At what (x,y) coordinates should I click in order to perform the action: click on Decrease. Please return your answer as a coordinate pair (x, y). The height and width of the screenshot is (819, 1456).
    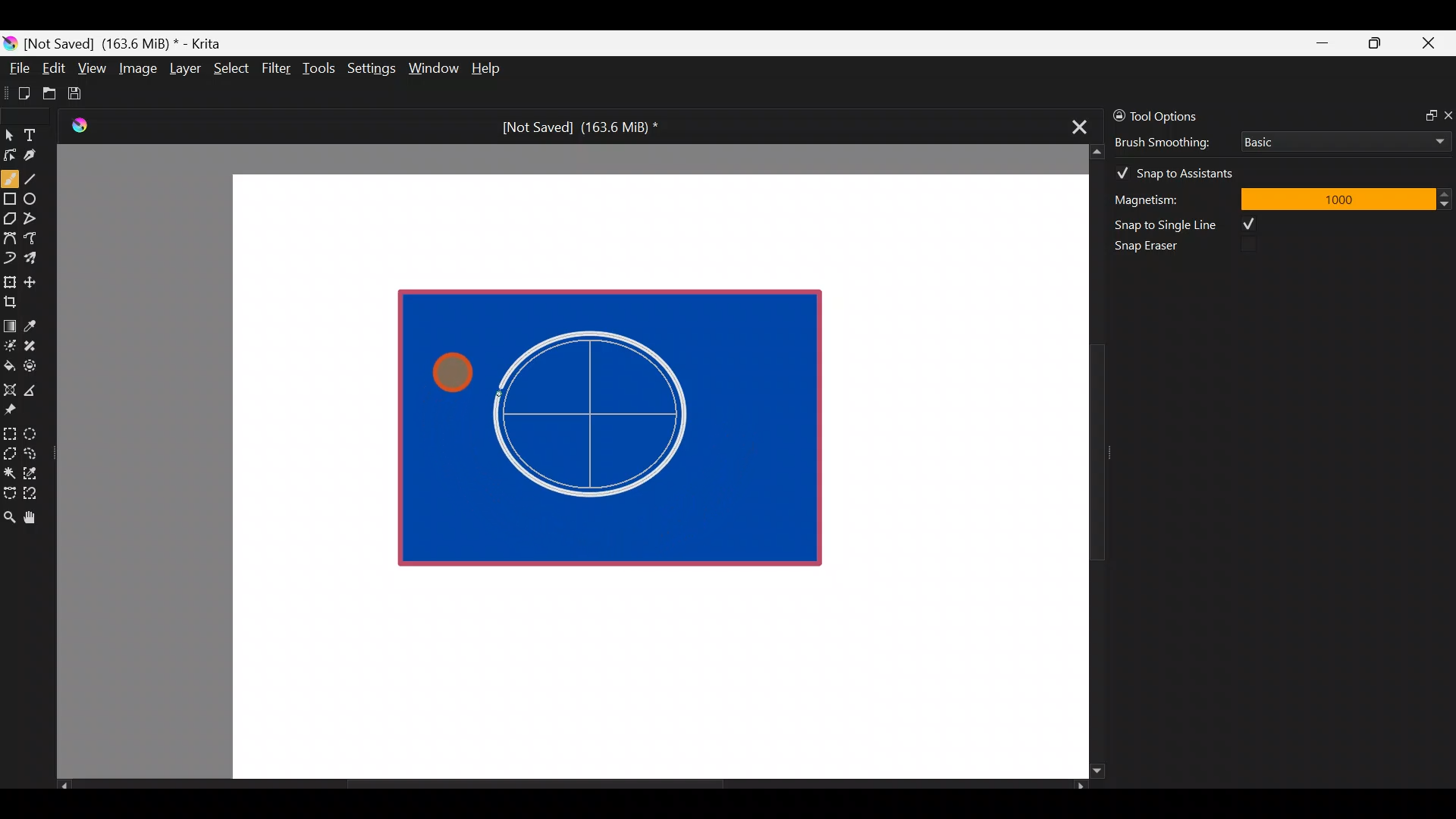
    Looking at the image, I should click on (1447, 203).